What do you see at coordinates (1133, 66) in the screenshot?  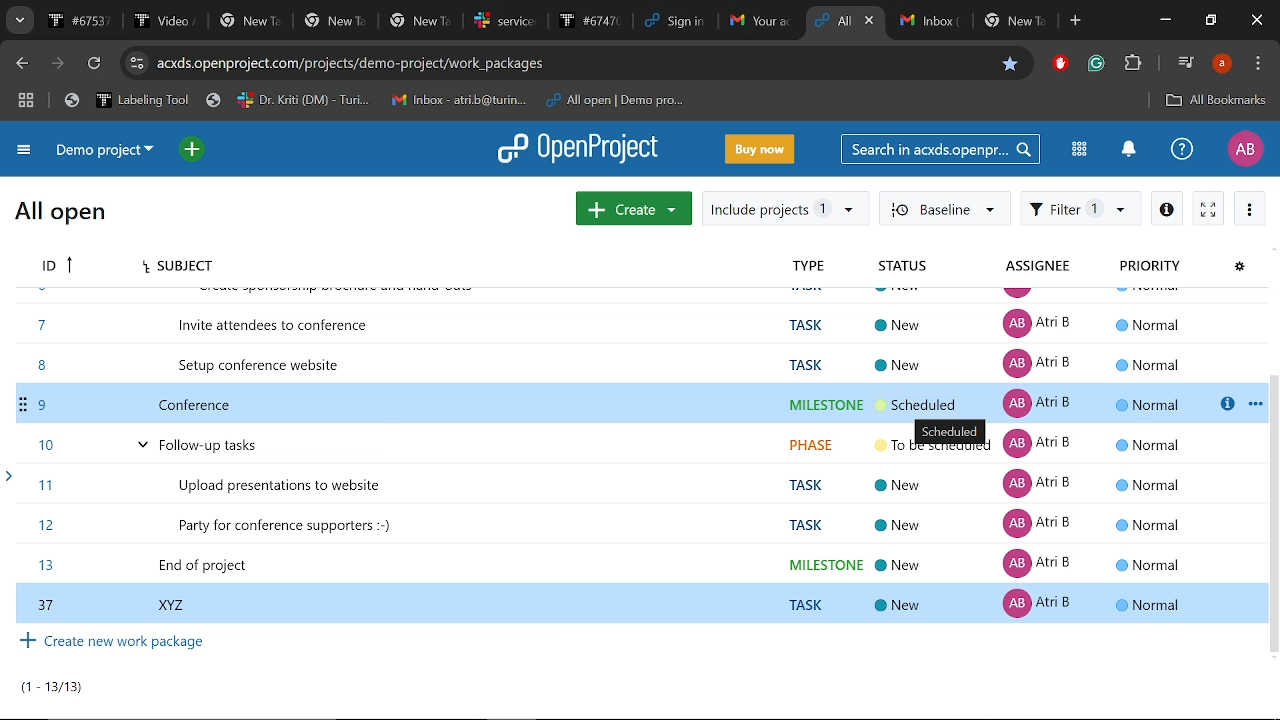 I see `Extensions` at bounding box center [1133, 66].